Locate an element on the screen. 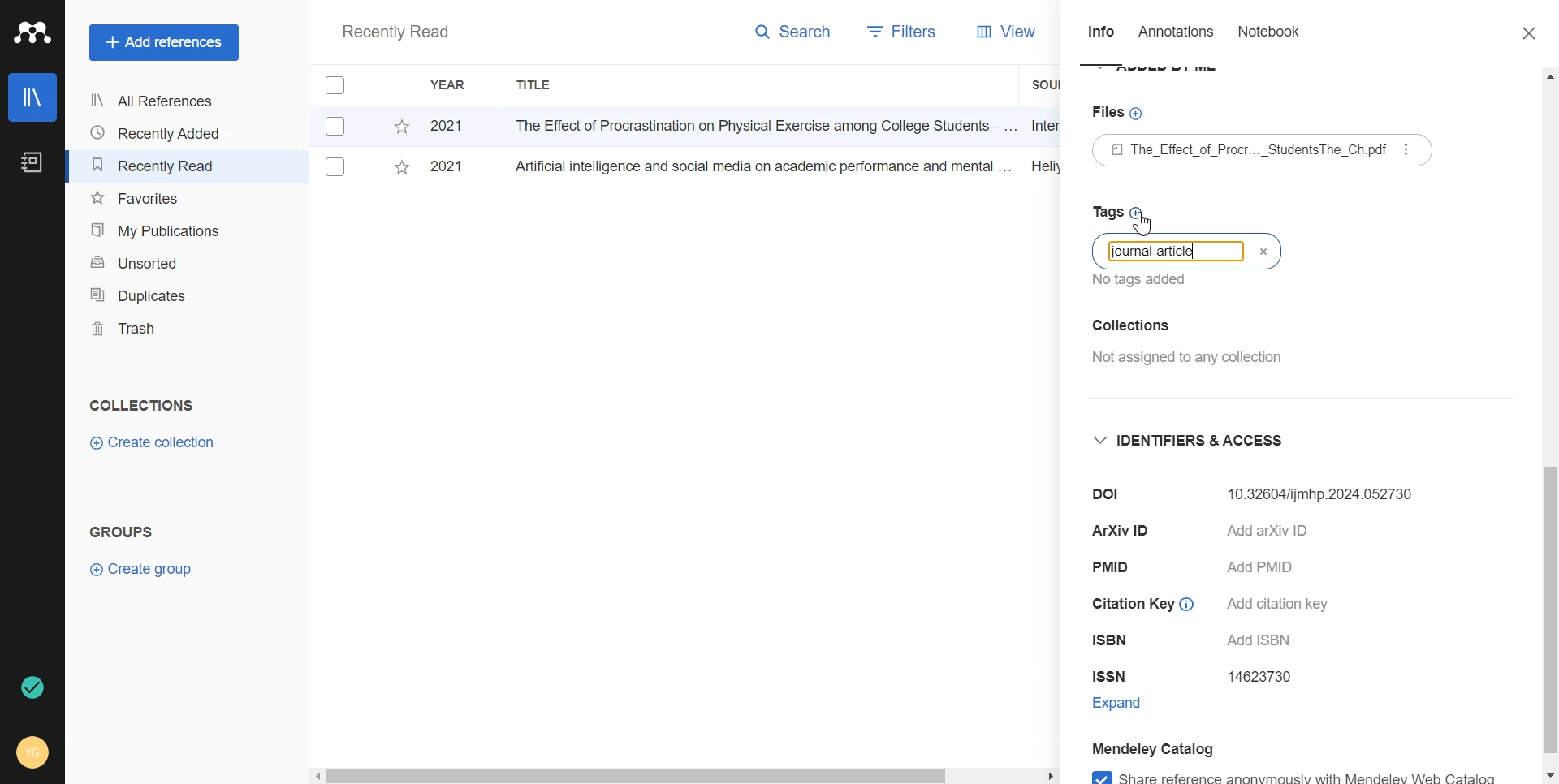 This screenshot has width=1559, height=784. Dol 10.32604/ijmhp.2024.052730 is located at coordinates (1253, 493).